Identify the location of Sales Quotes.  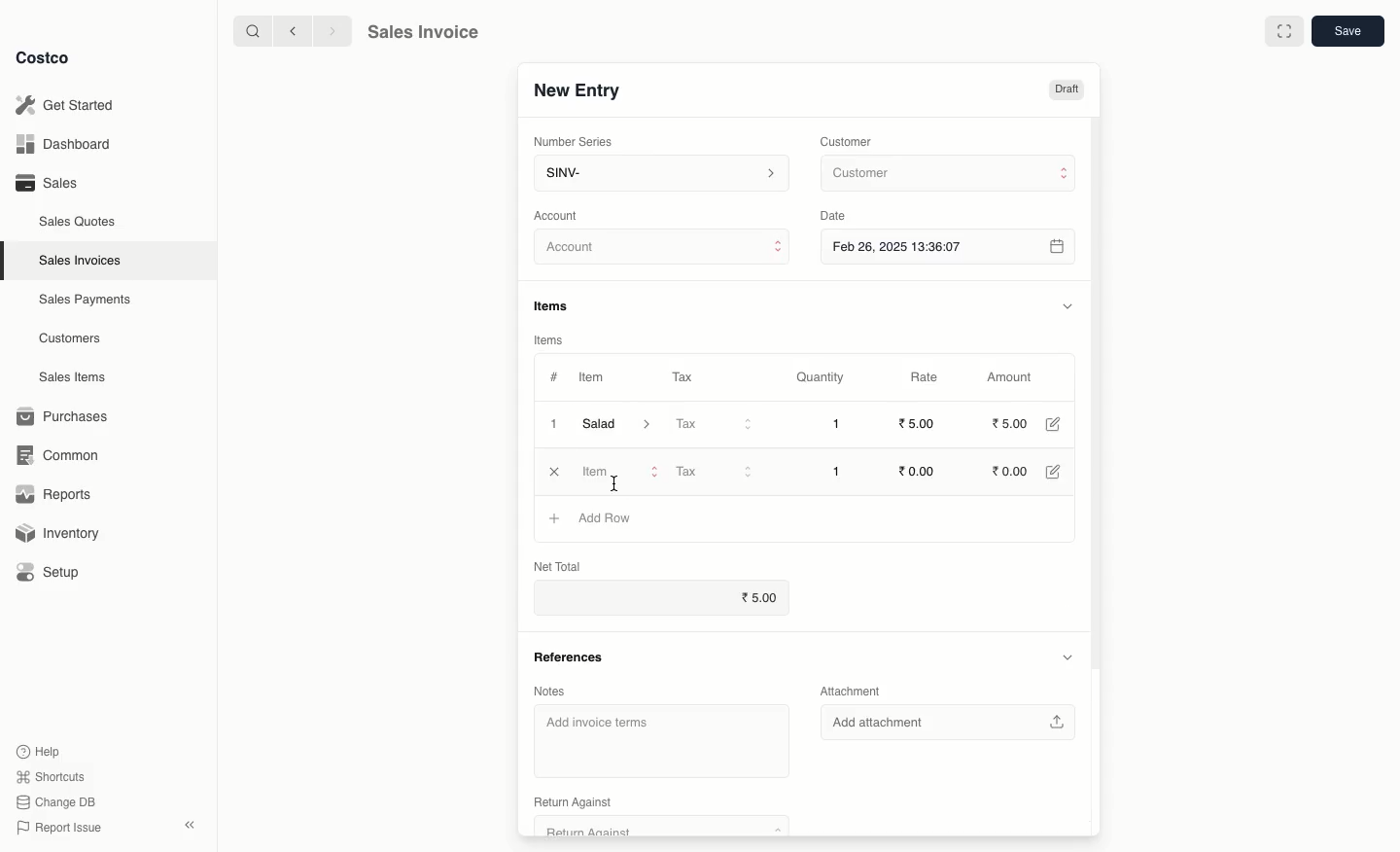
(80, 221).